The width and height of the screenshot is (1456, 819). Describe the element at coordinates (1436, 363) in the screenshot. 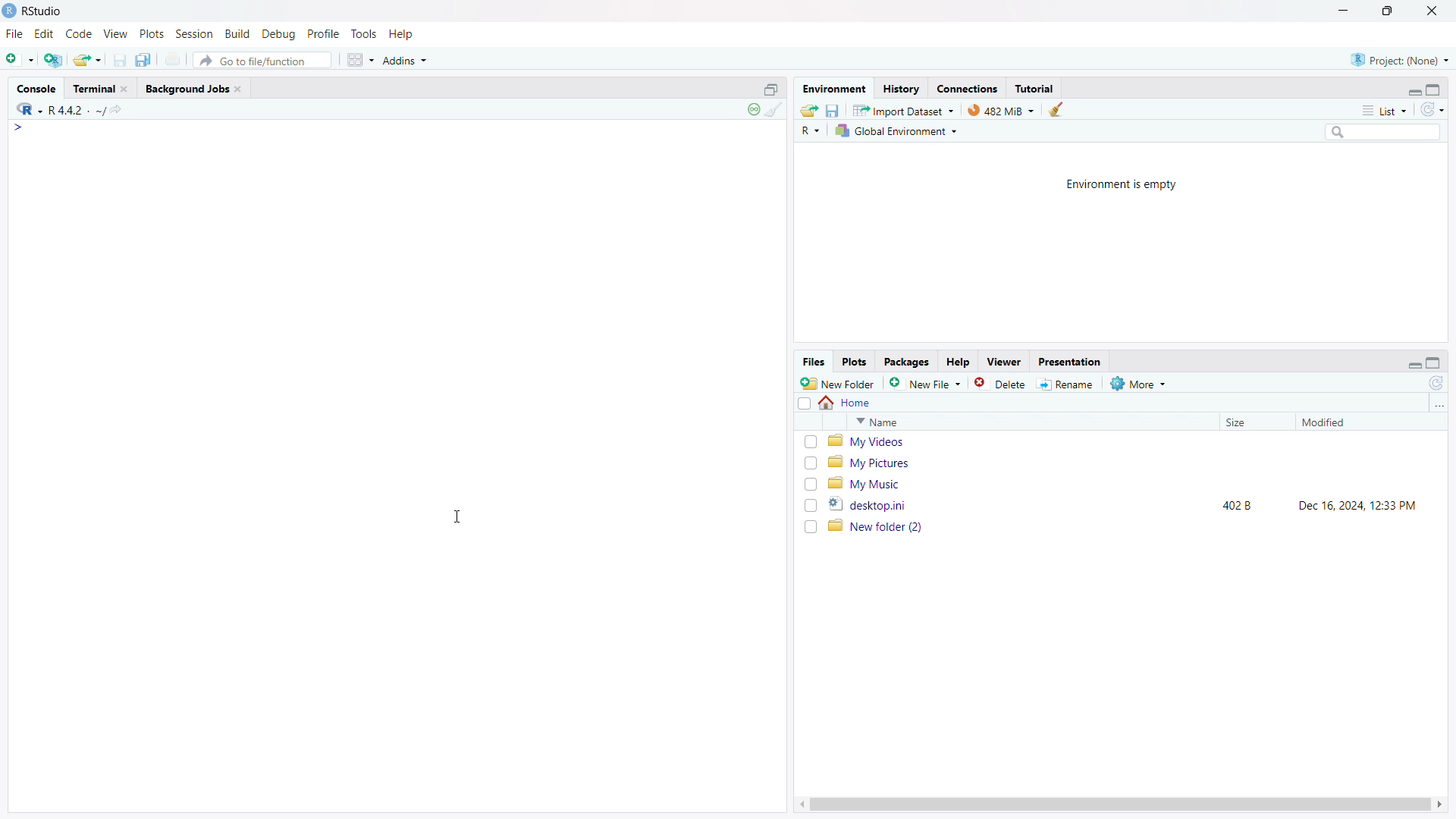

I see `expand pane` at that location.